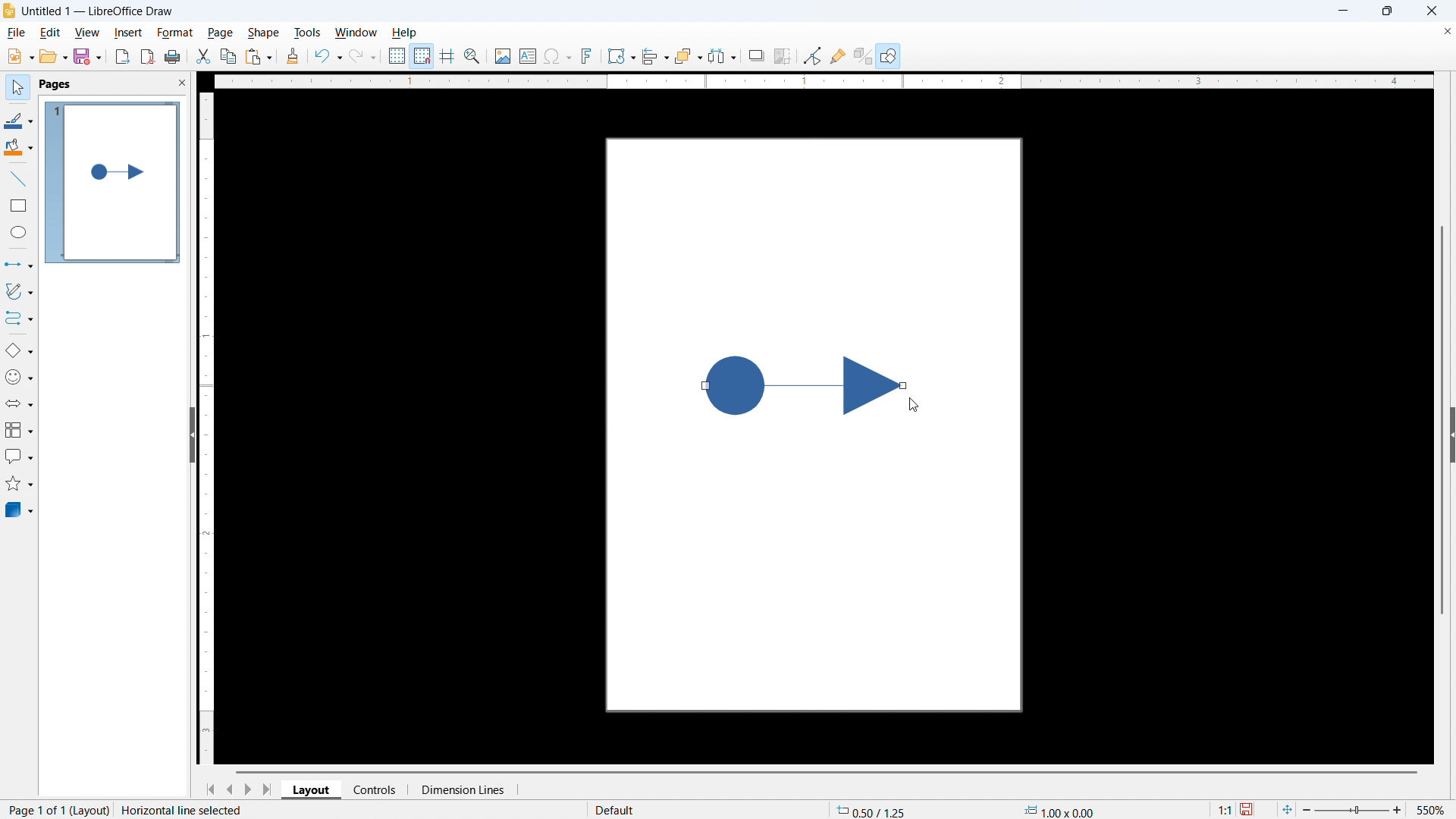  Describe the element at coordinates (889, 55) in the screenshot. I see `Help ` at that location.